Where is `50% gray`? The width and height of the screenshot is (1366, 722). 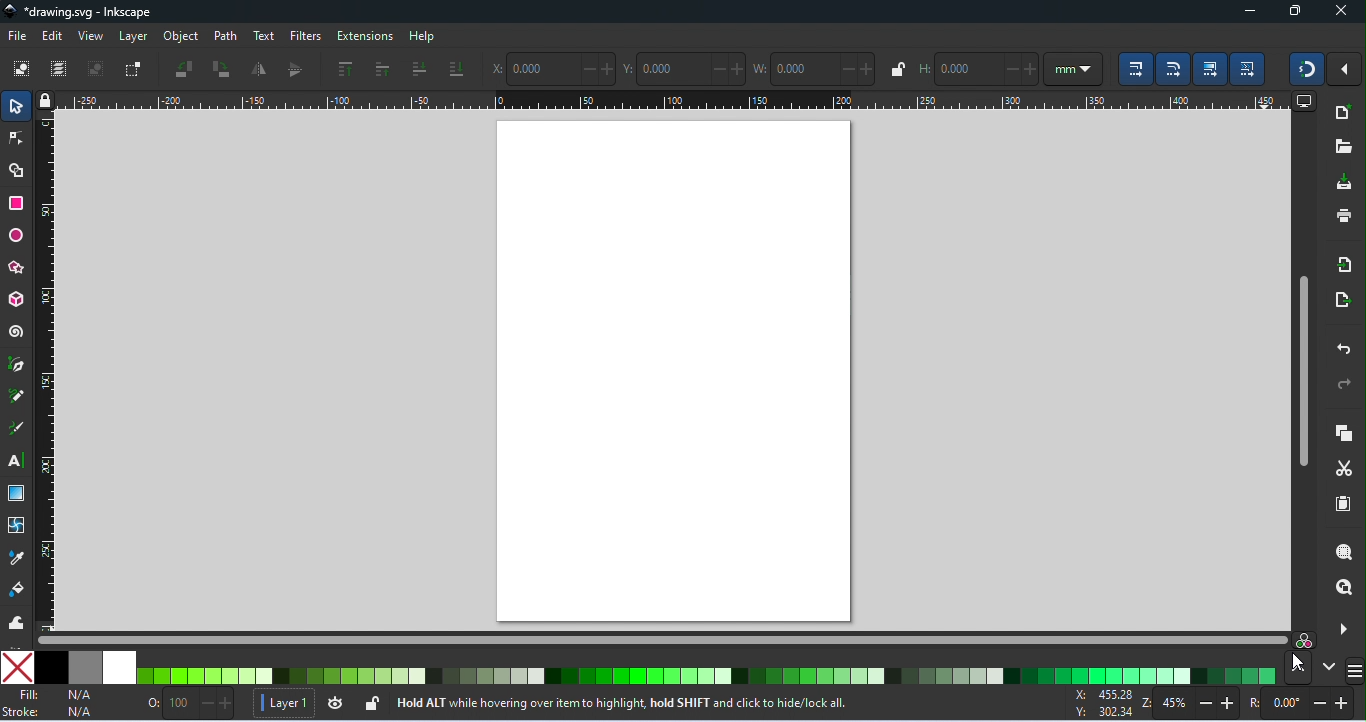
50% gray is located at coordinates (87, 667).